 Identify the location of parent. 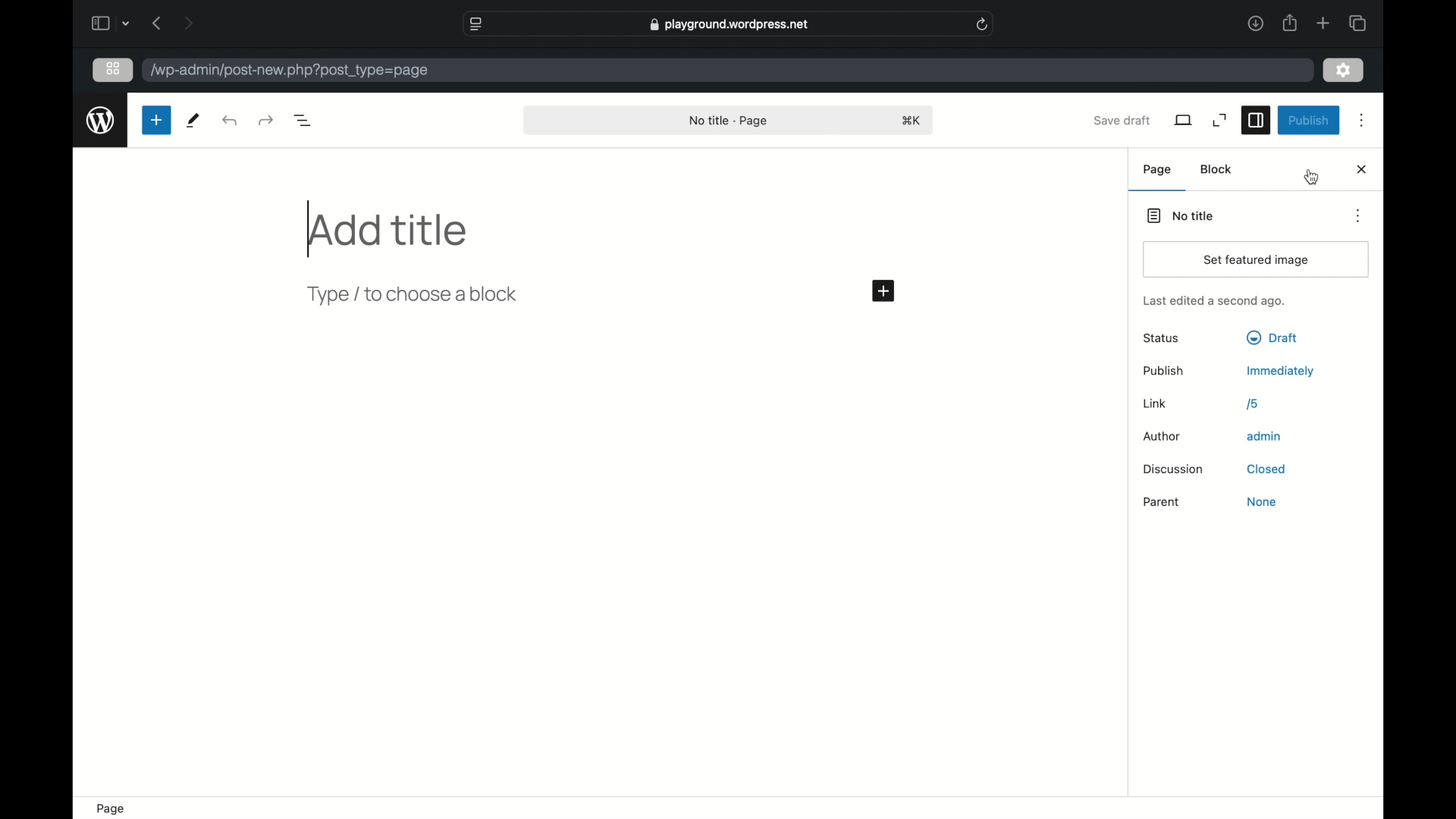
(1162, 502).